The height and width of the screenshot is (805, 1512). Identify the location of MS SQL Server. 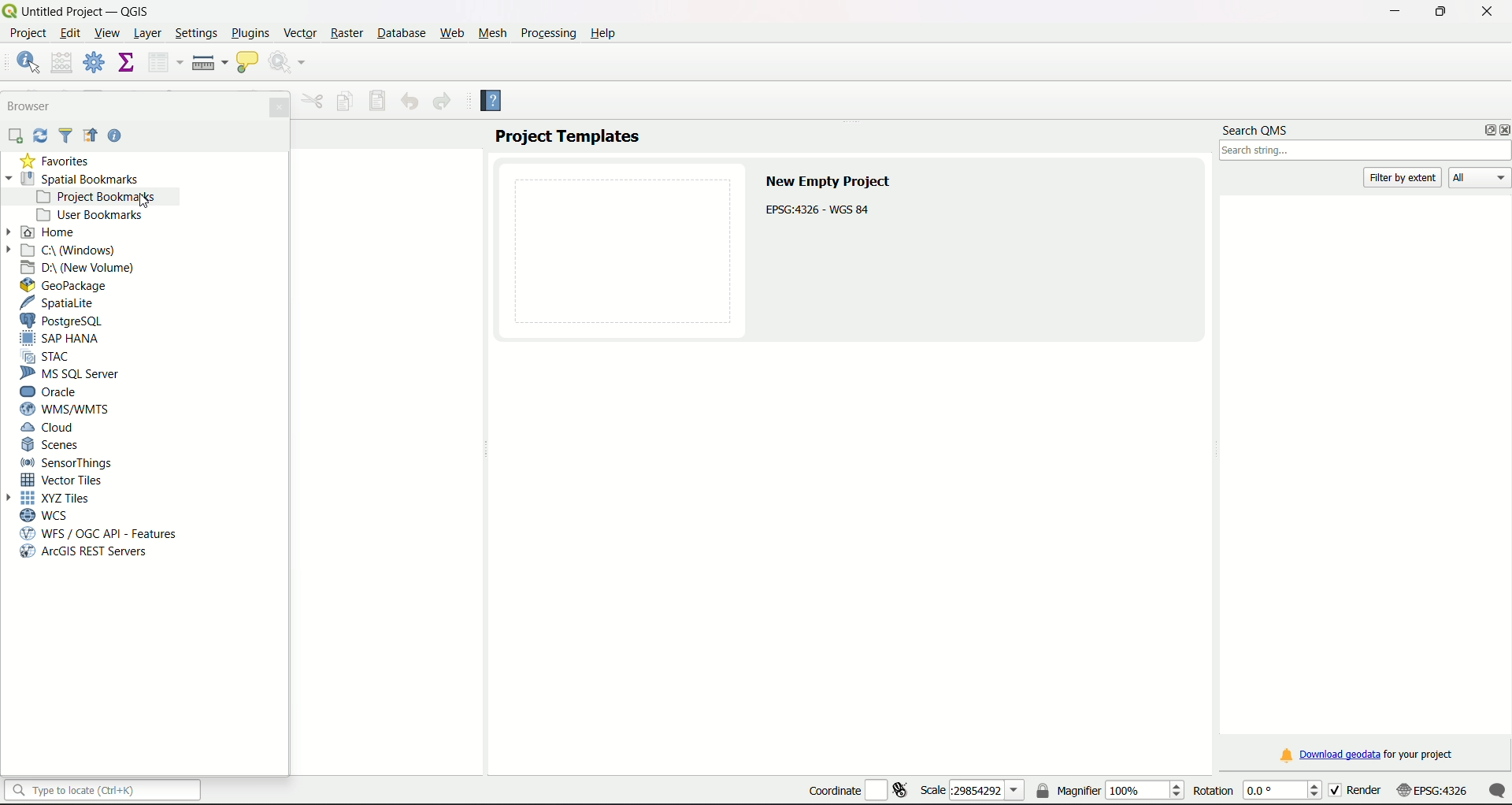
(72, 373).